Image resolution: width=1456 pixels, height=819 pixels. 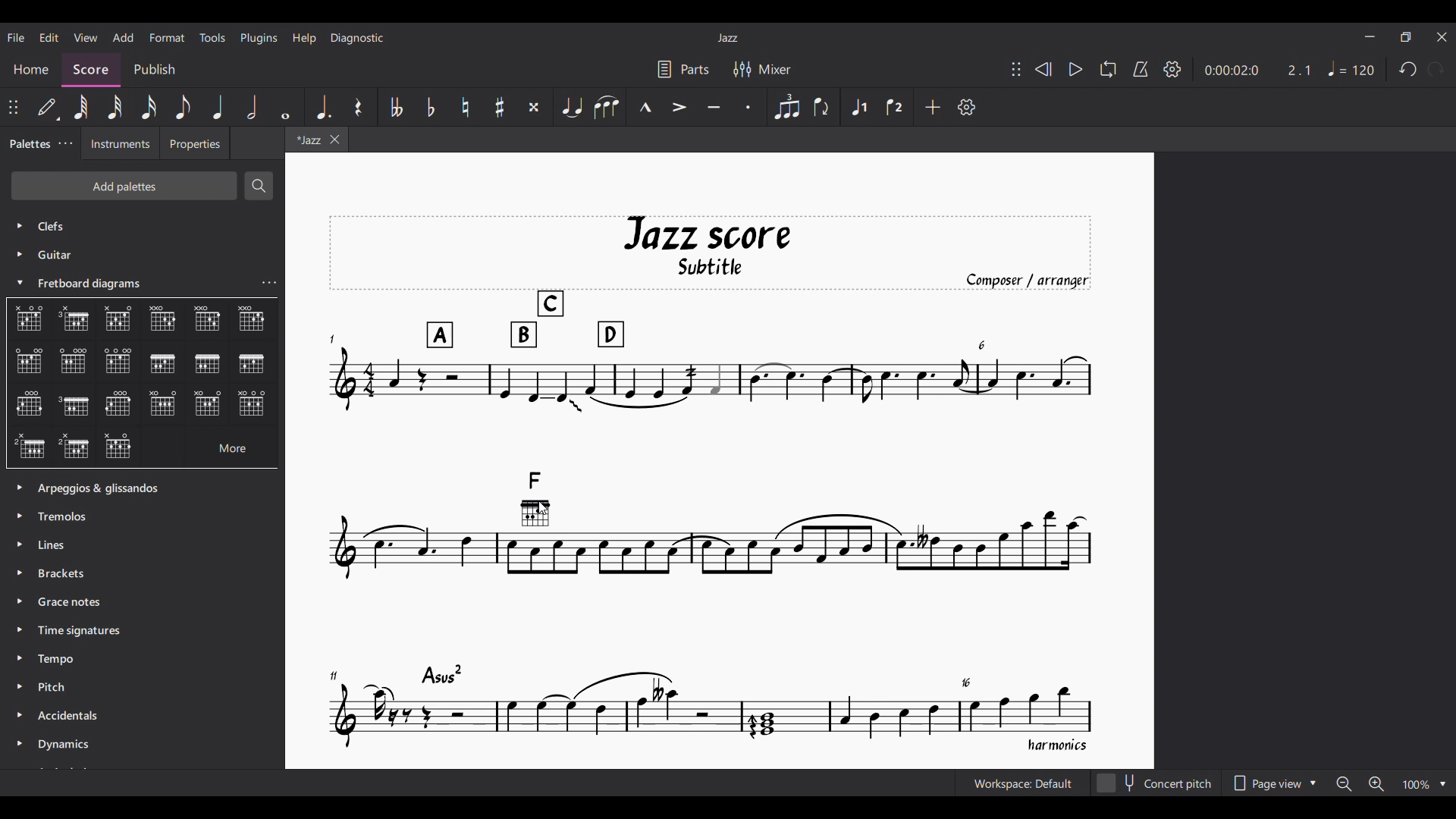 What do you see at coordinates (1044, 69) in the screenshot?
I see `Rewind` at bounding box center [1044, 69].